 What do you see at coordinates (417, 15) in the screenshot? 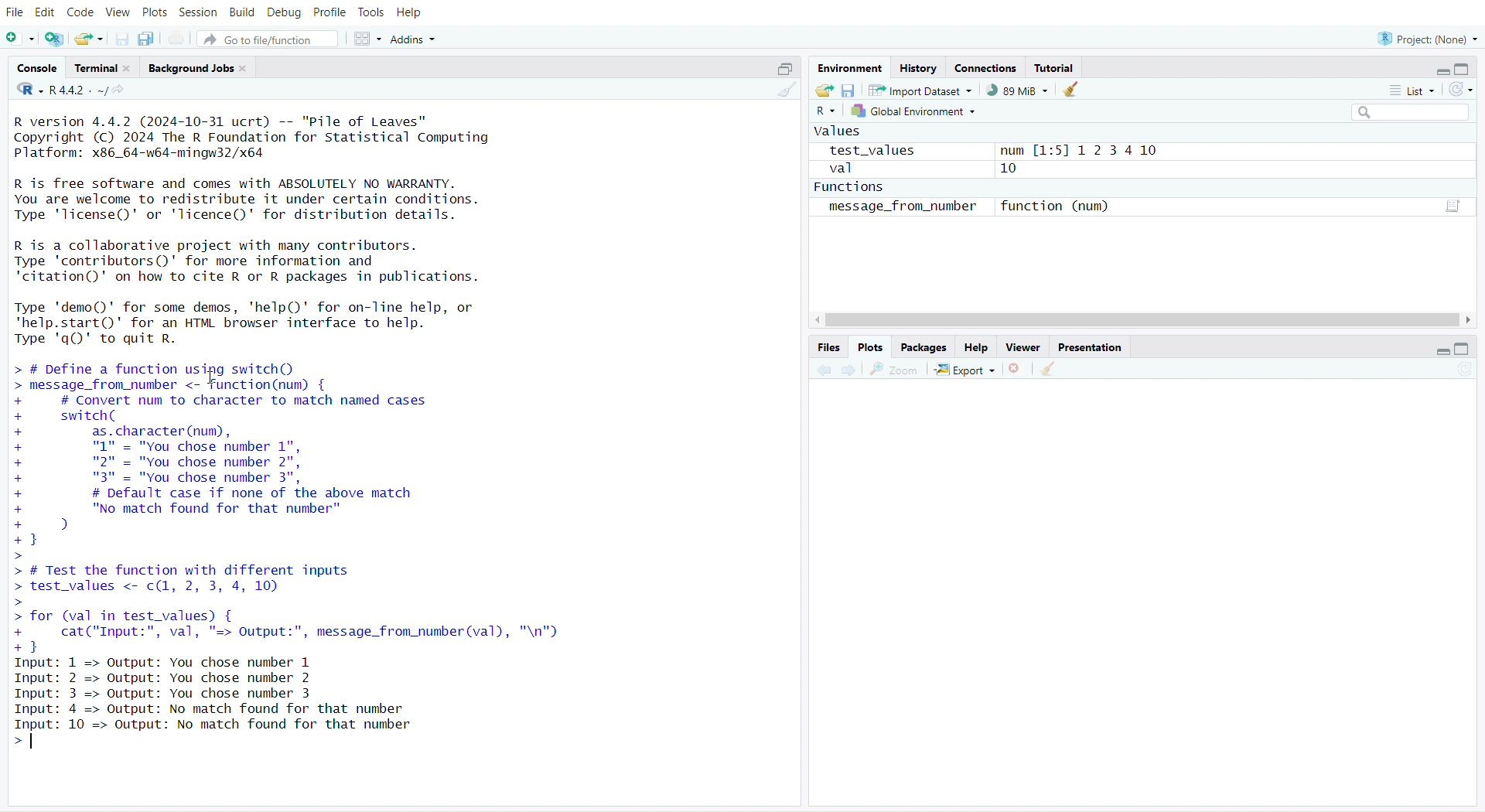
I see `Help` at bounding box center [417, 15].